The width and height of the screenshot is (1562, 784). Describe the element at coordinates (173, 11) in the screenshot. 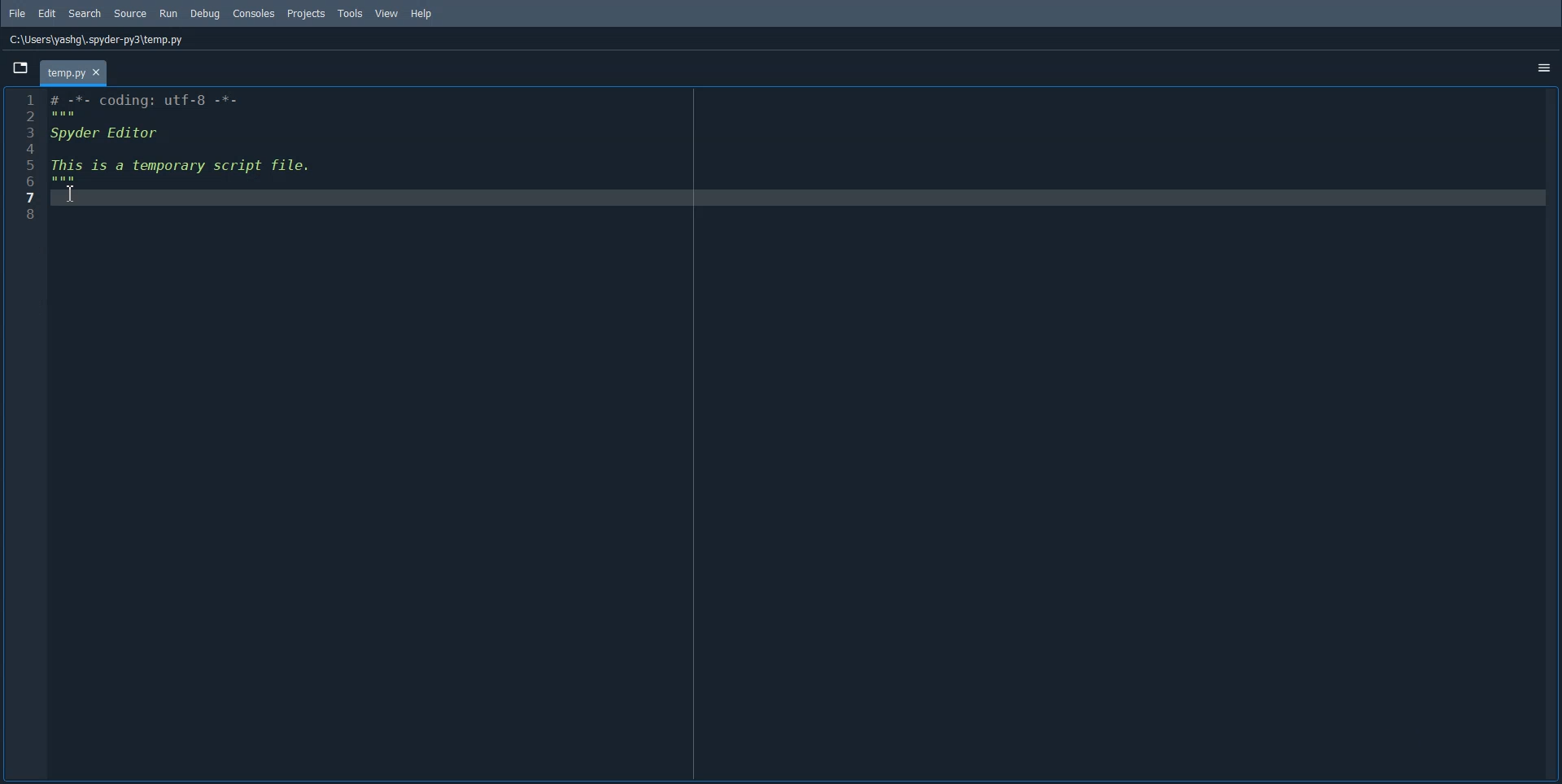

I see `Run` at that location.